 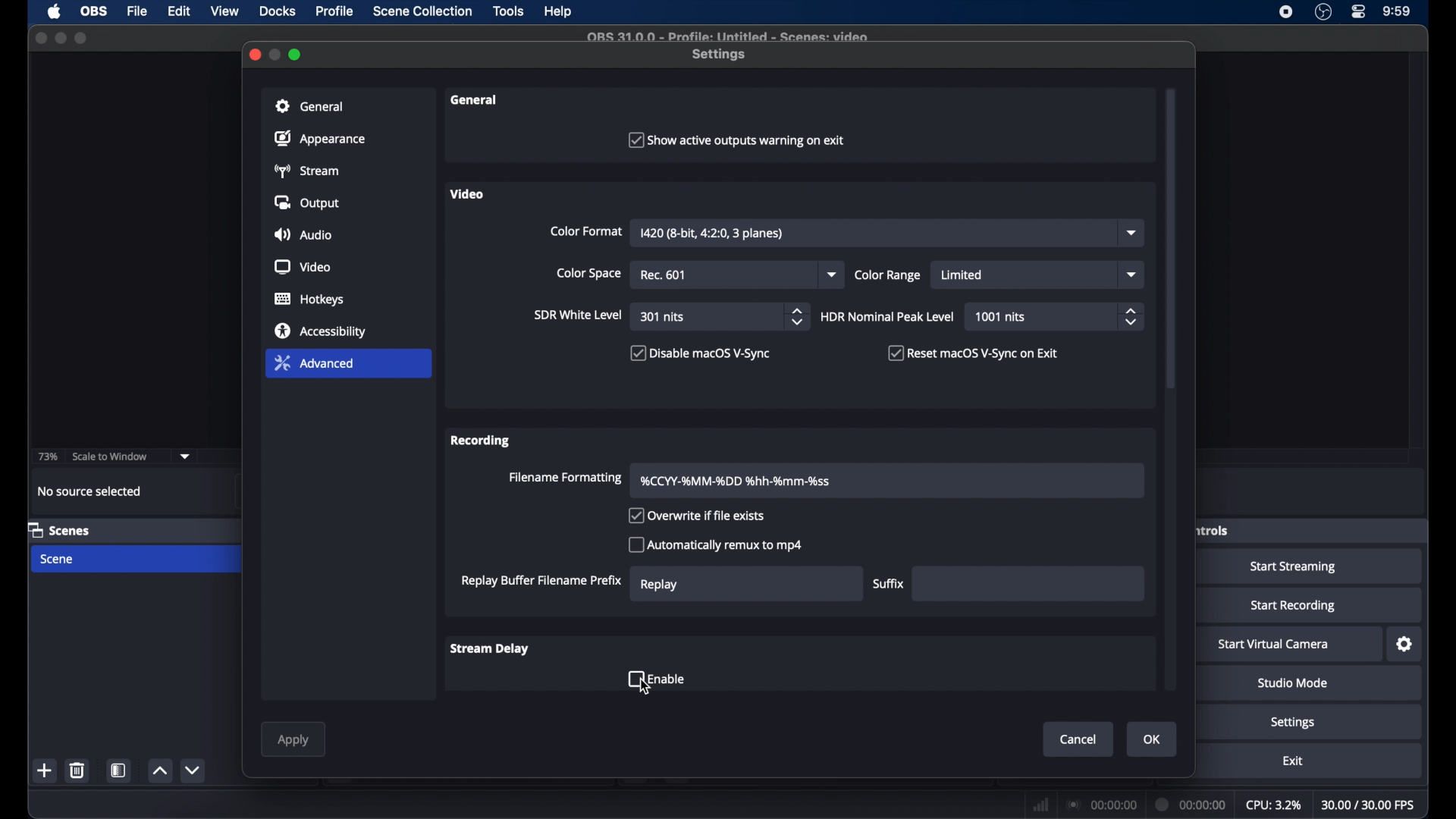 What do you see at coordinates (1323, 12) in the screenshot?
I see `obs studio` at bounding box center [1323, 12].